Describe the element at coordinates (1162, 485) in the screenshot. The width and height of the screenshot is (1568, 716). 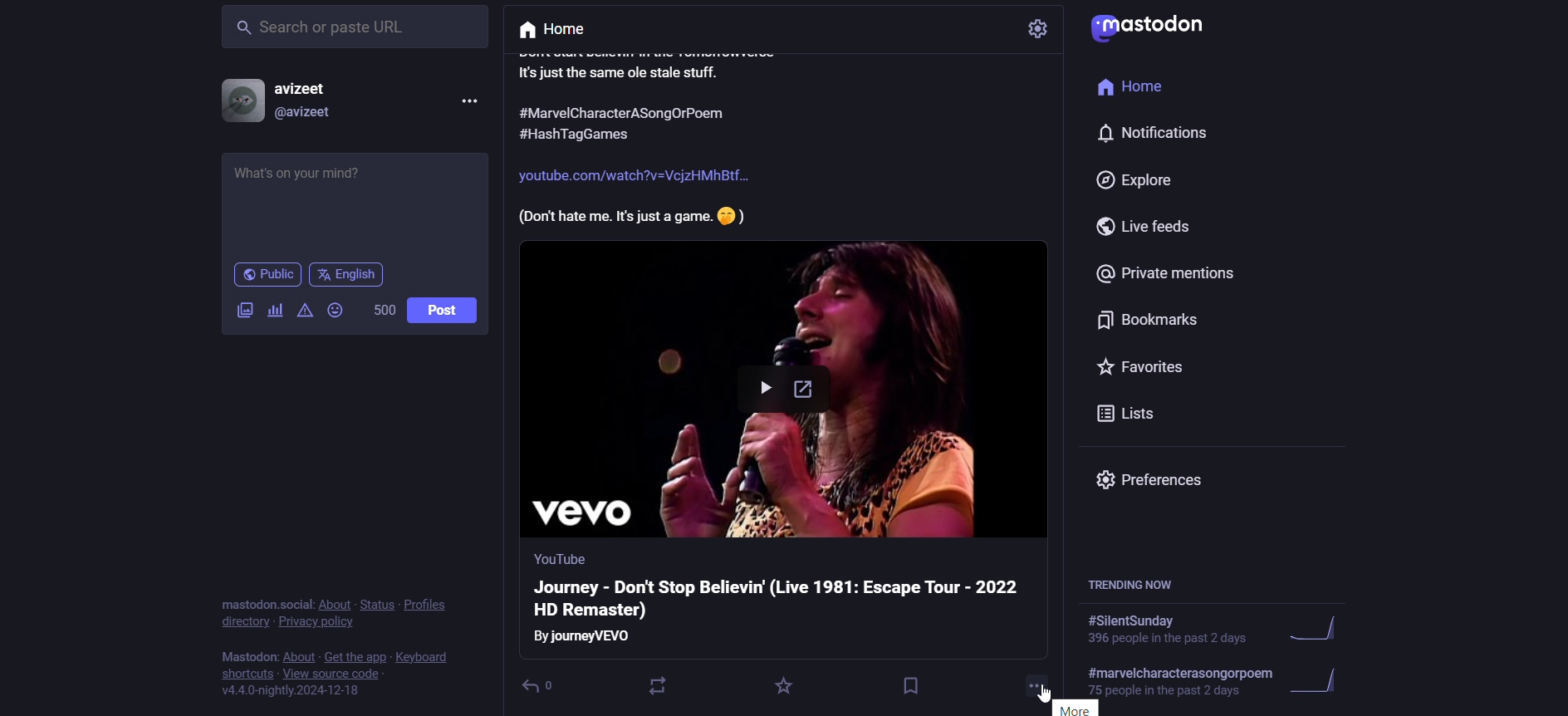
I see `preferences` at that location.